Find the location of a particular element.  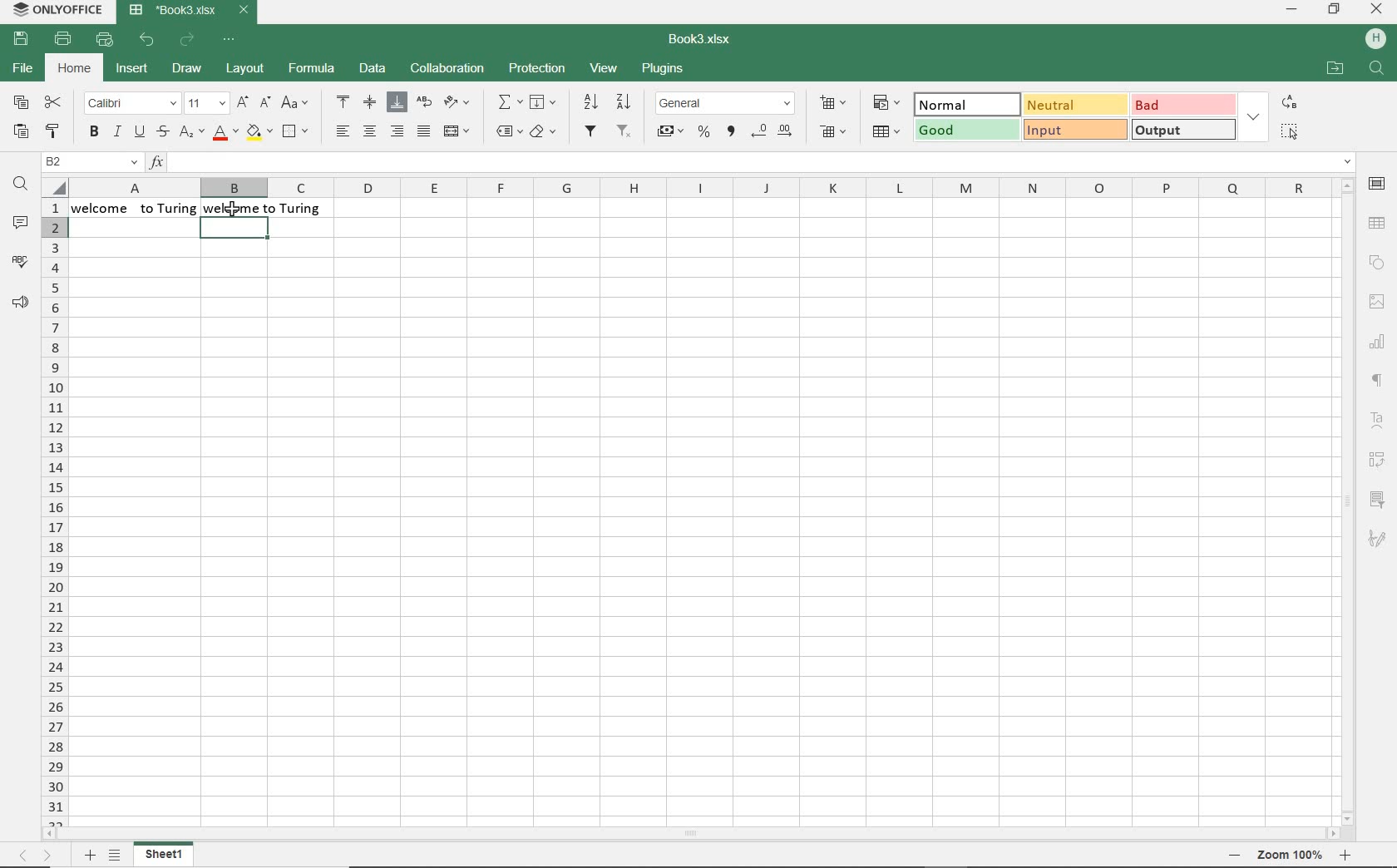

home is located at coordinates (74, 70).